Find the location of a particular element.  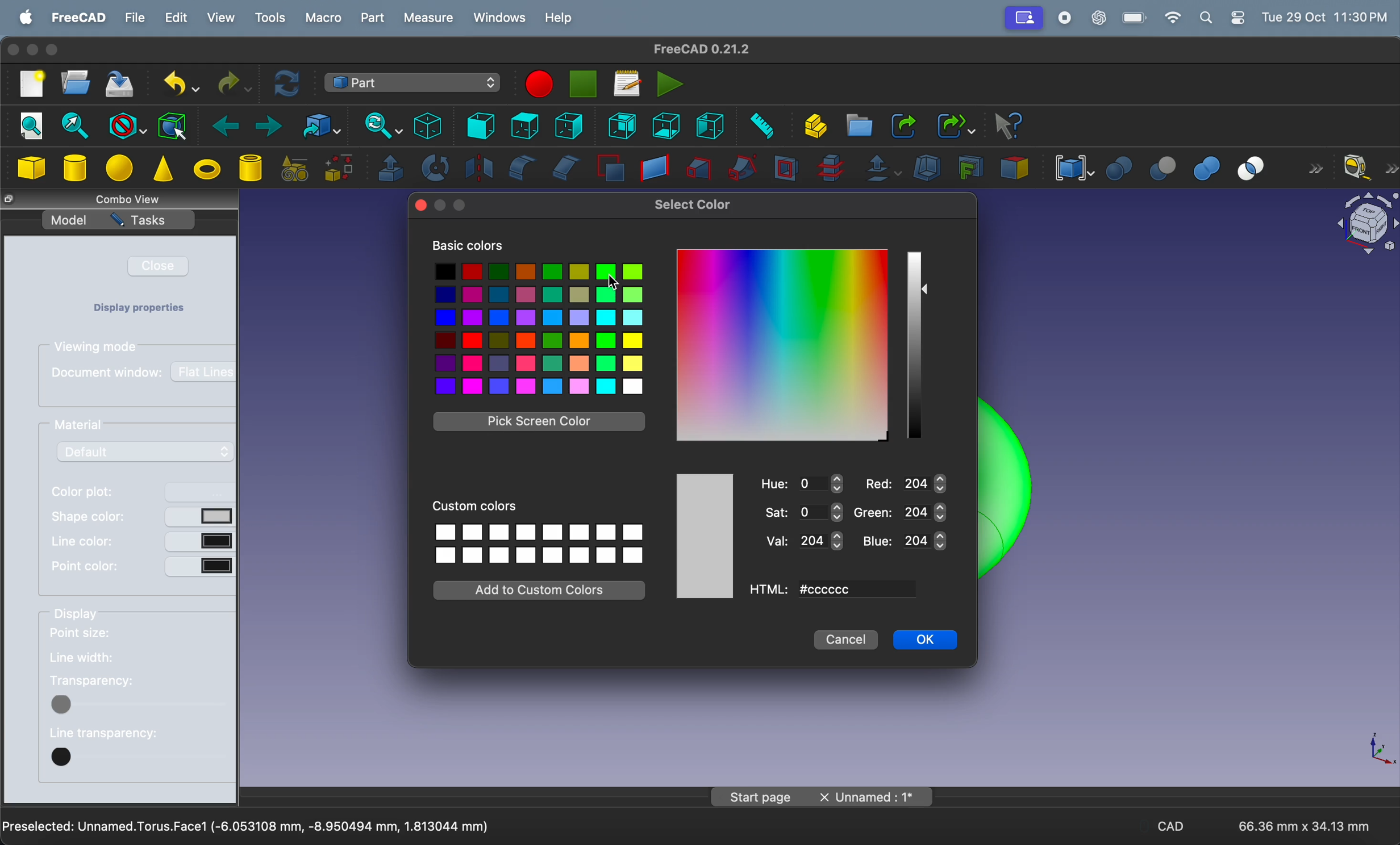

66.36 mm * 34.13 mm is located at coordinates (1305, 826).